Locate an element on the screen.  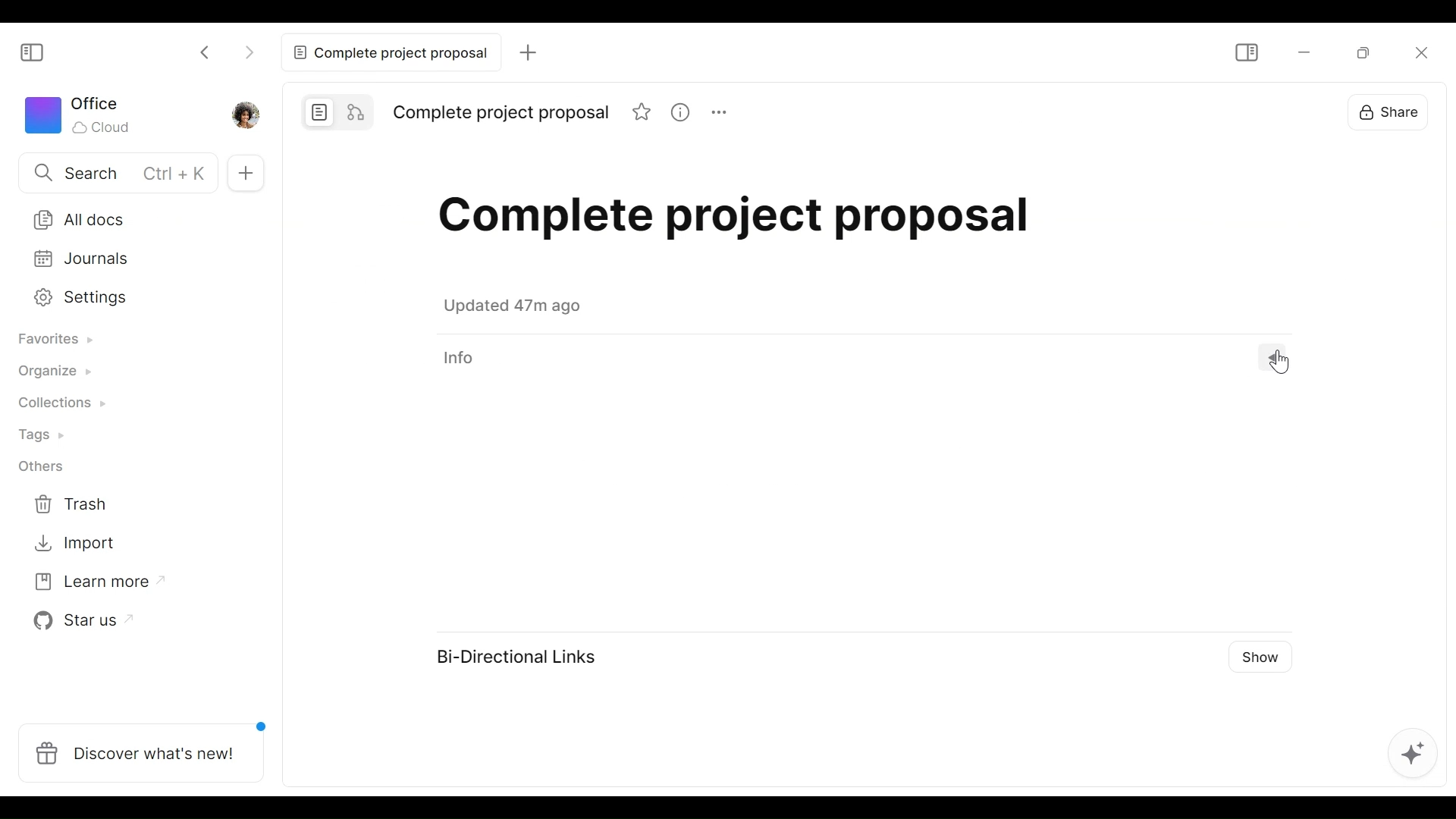
Saved is located at coordinates (521, 310).